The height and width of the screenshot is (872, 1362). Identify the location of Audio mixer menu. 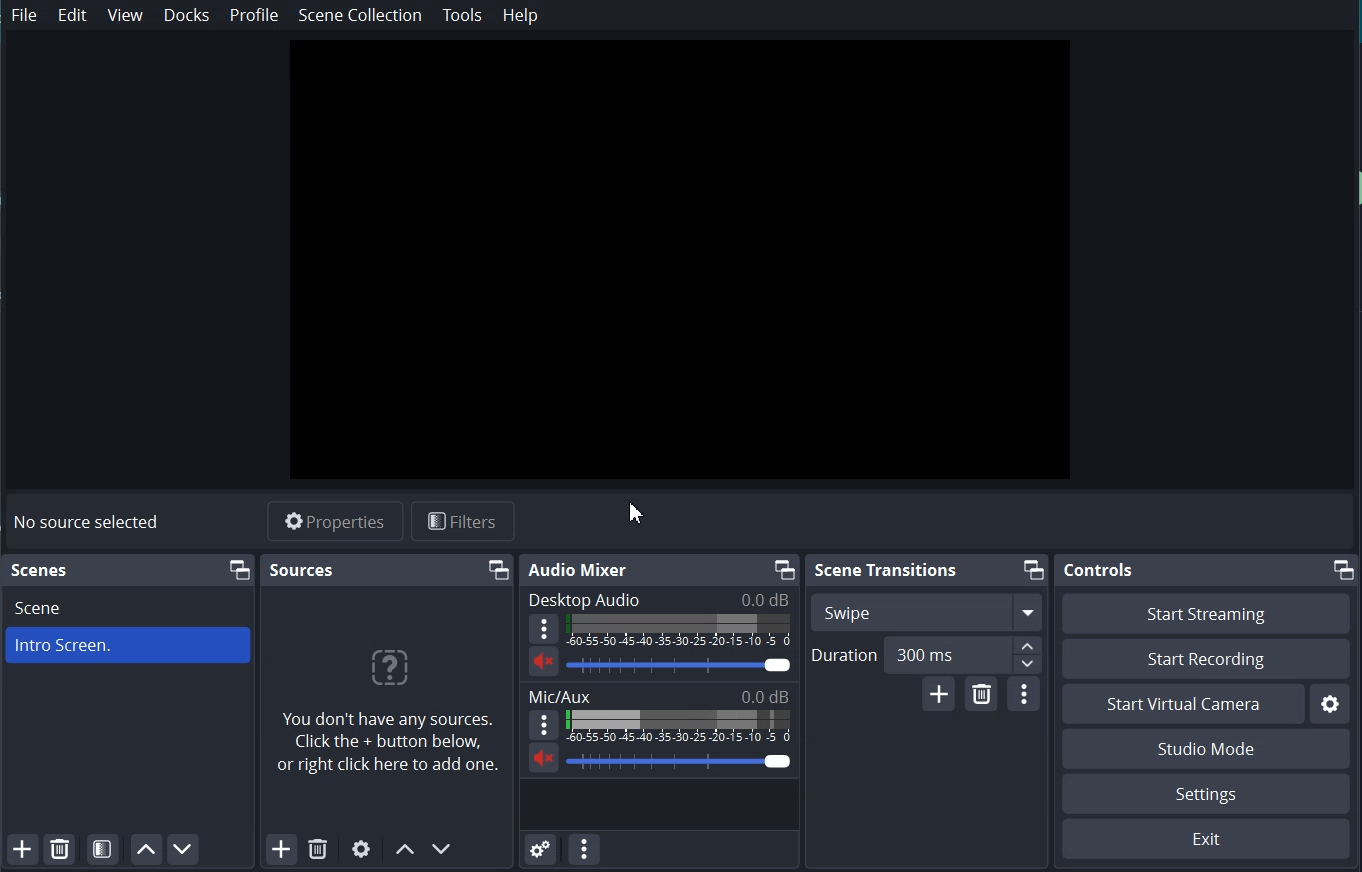
(584, 848).